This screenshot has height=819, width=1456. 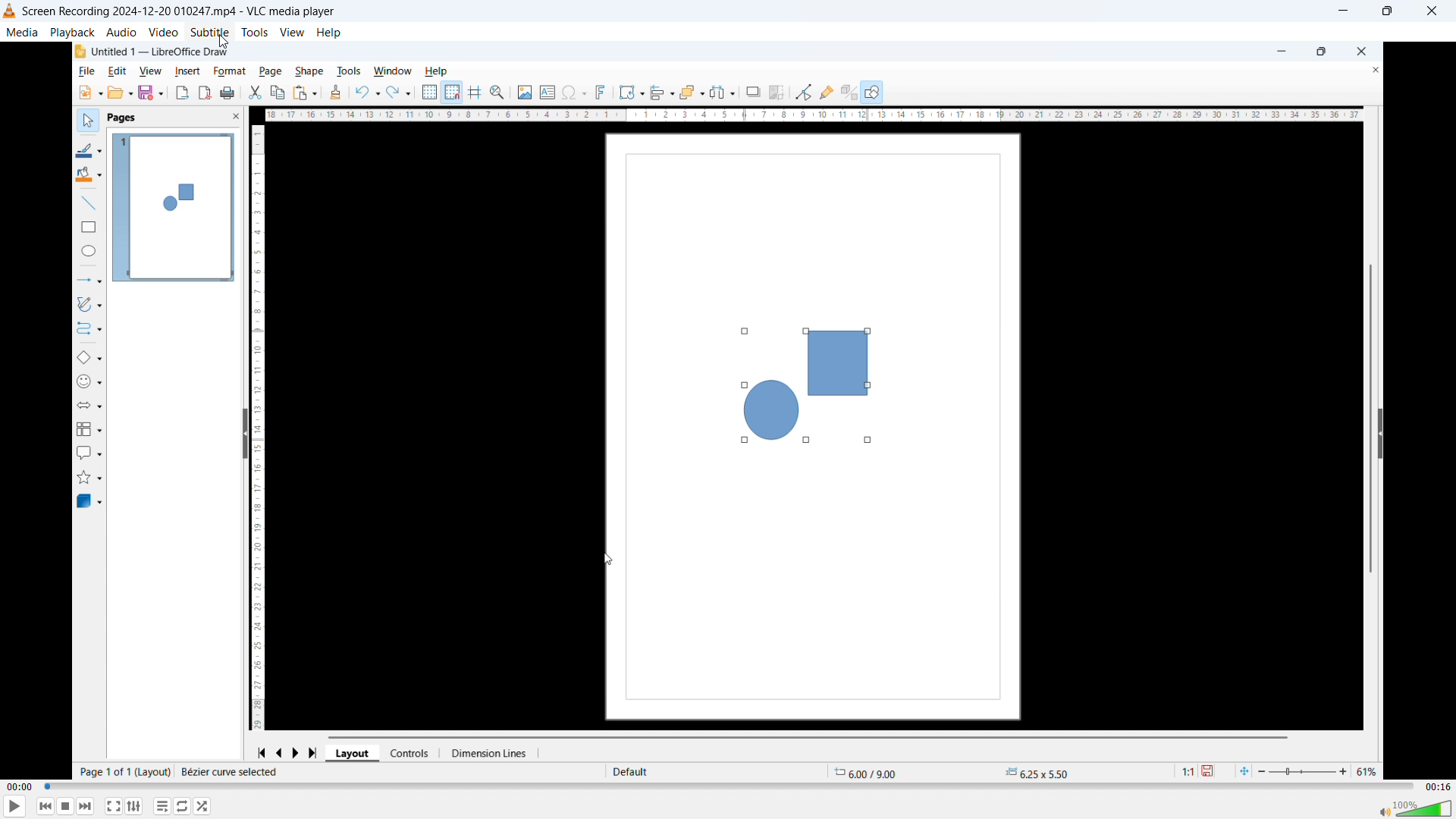 What do you see at coordinates (662, 93) in the screenshot?
I see `align object` at bounding box center [662, 93].